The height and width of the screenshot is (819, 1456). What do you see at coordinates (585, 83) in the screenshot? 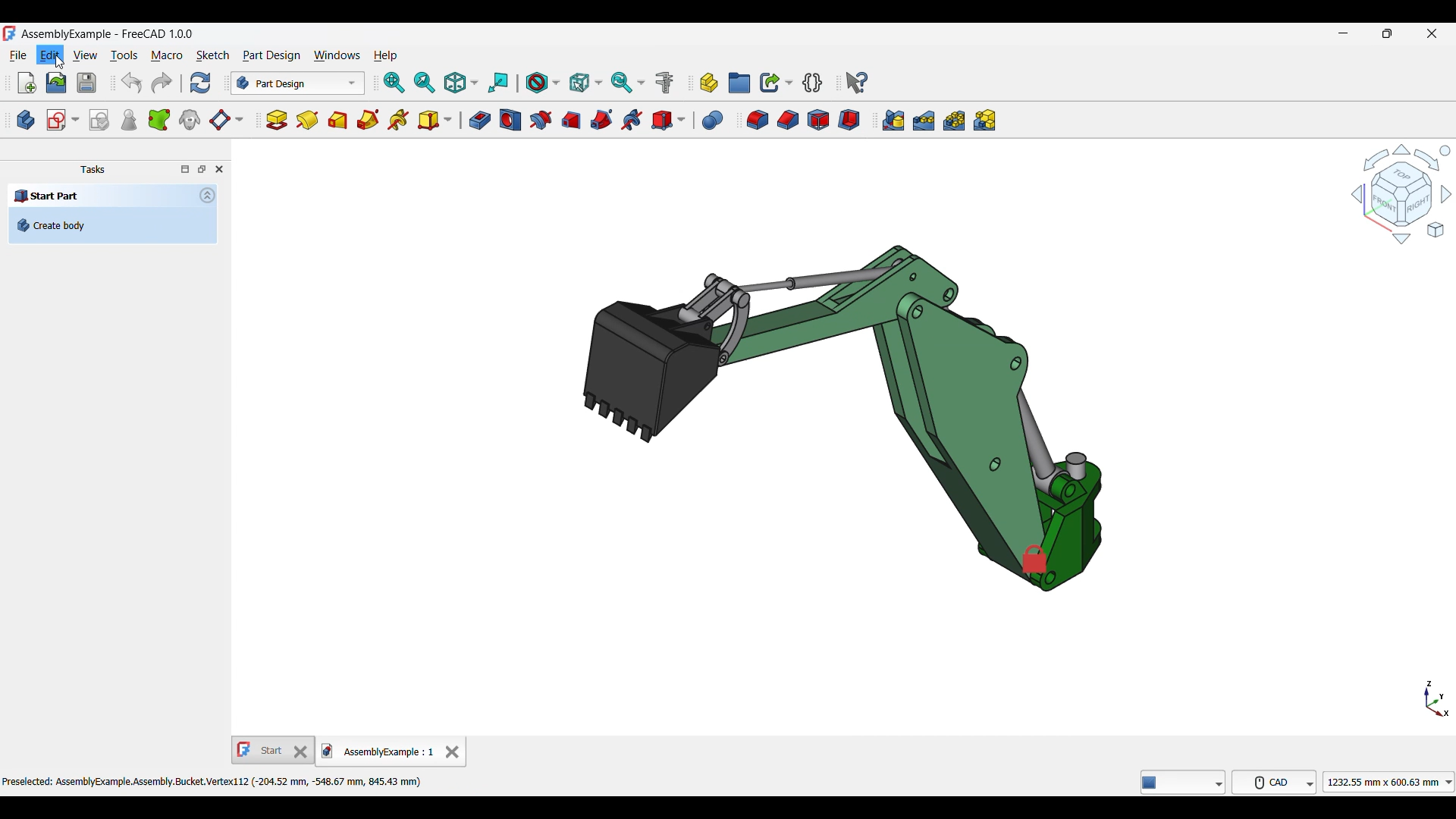
I see `Selection filter options` at bounding box center [585, 83].